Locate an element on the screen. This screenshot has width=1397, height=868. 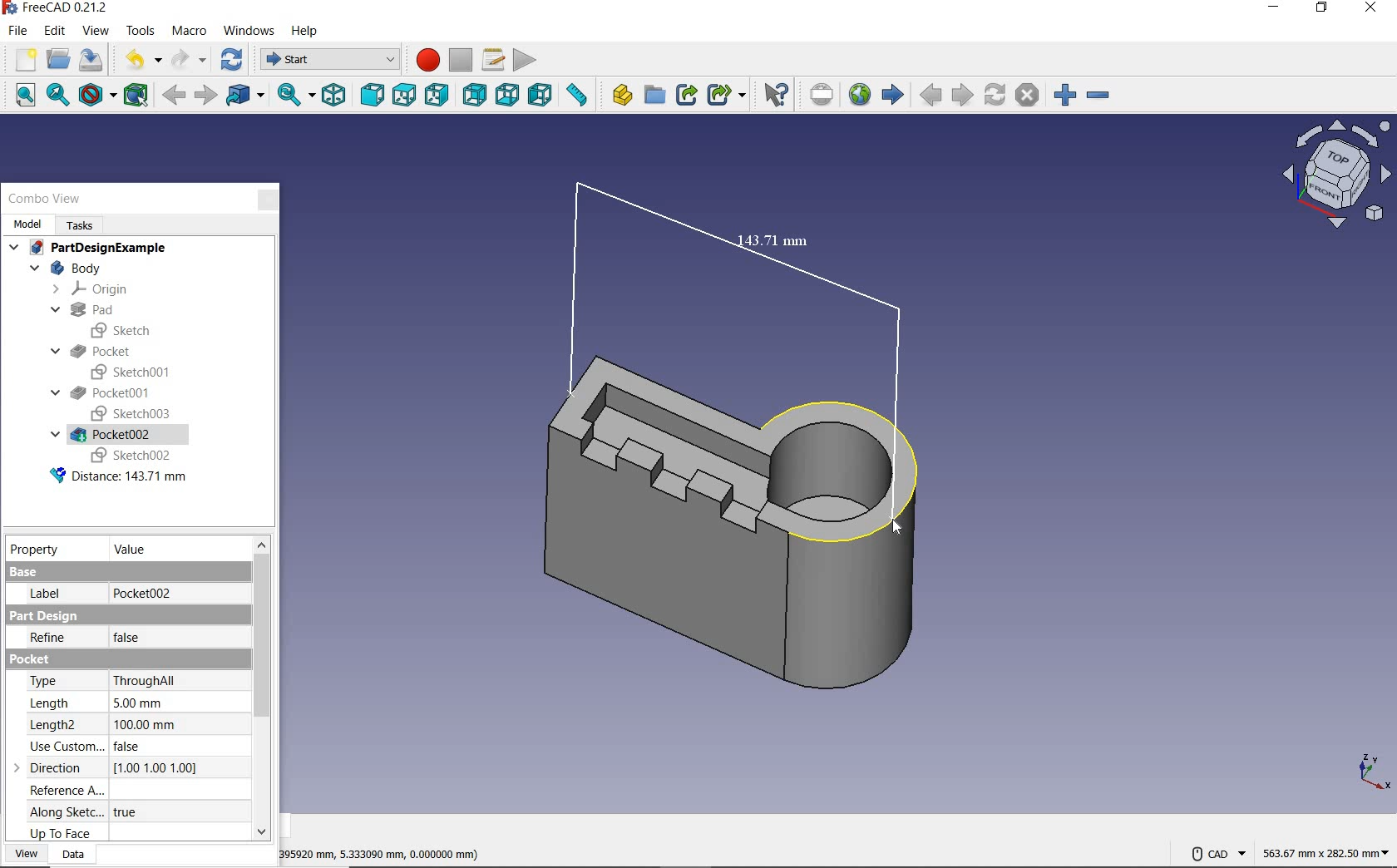
What's this? is located at coordinates (775, 95).